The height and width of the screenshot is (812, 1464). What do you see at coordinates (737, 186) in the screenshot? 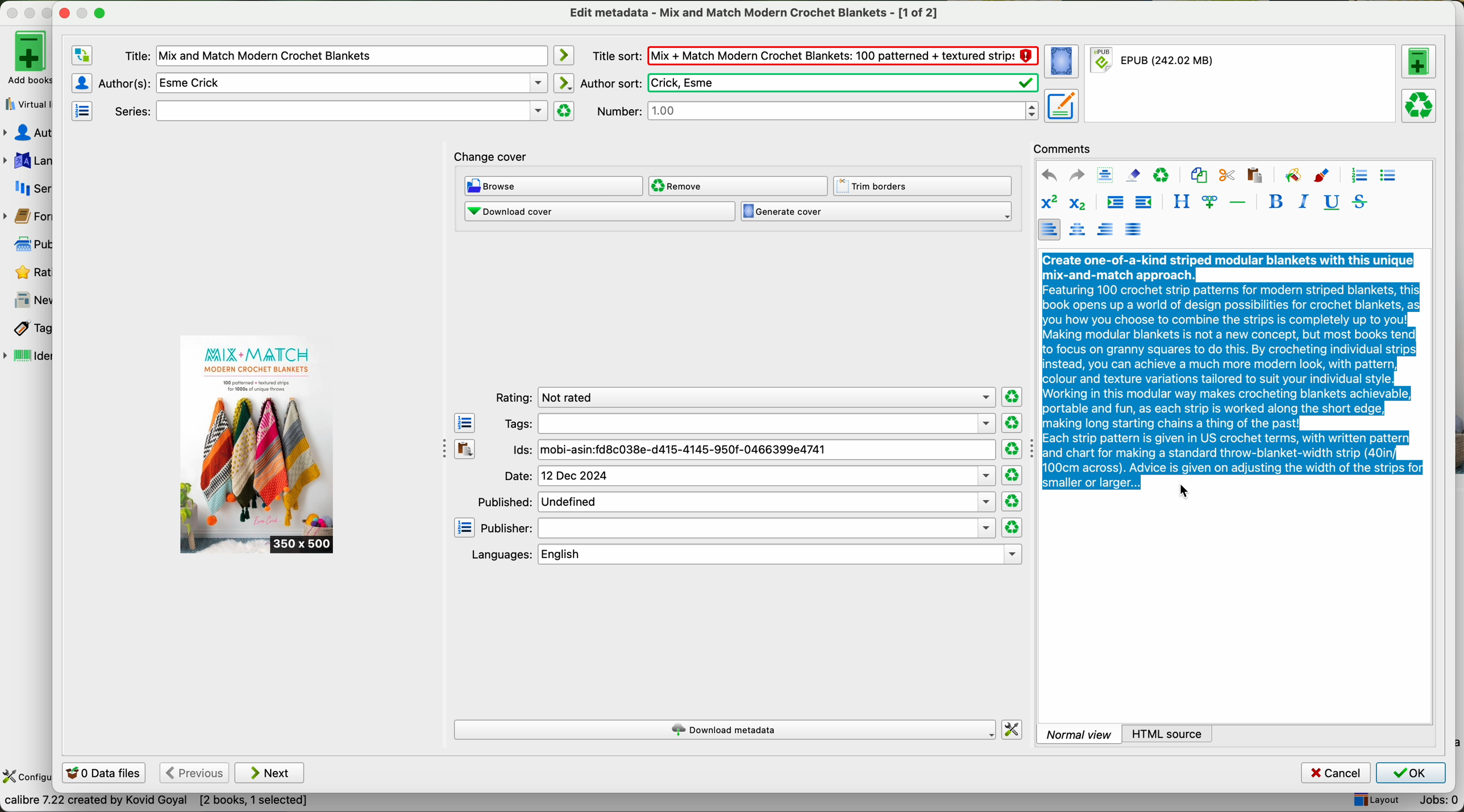
I see `remove` at bounding box center [737, 186].